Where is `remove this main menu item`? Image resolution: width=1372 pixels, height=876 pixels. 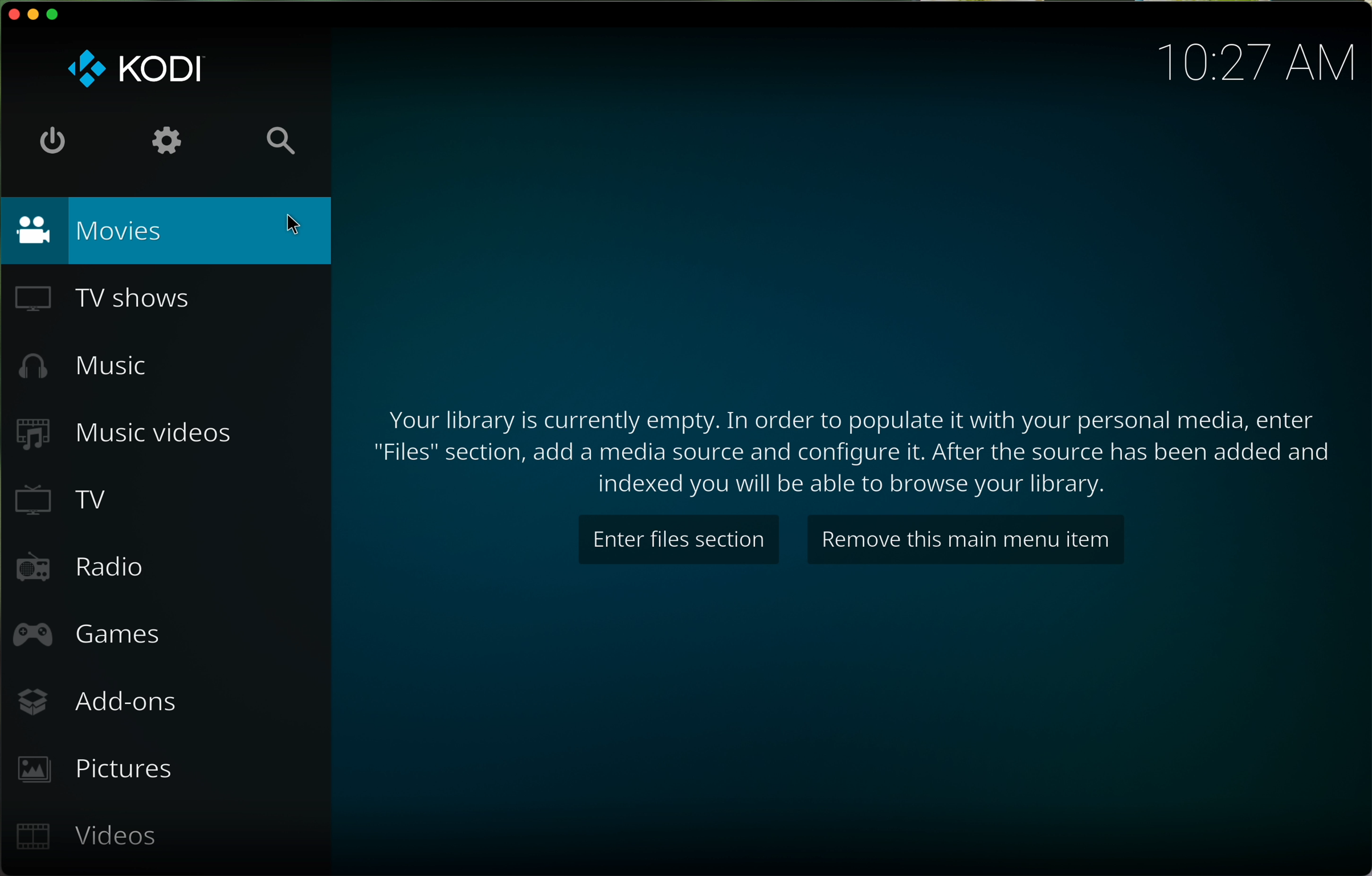
remove this main menu item is located at coordinates (965, 539).